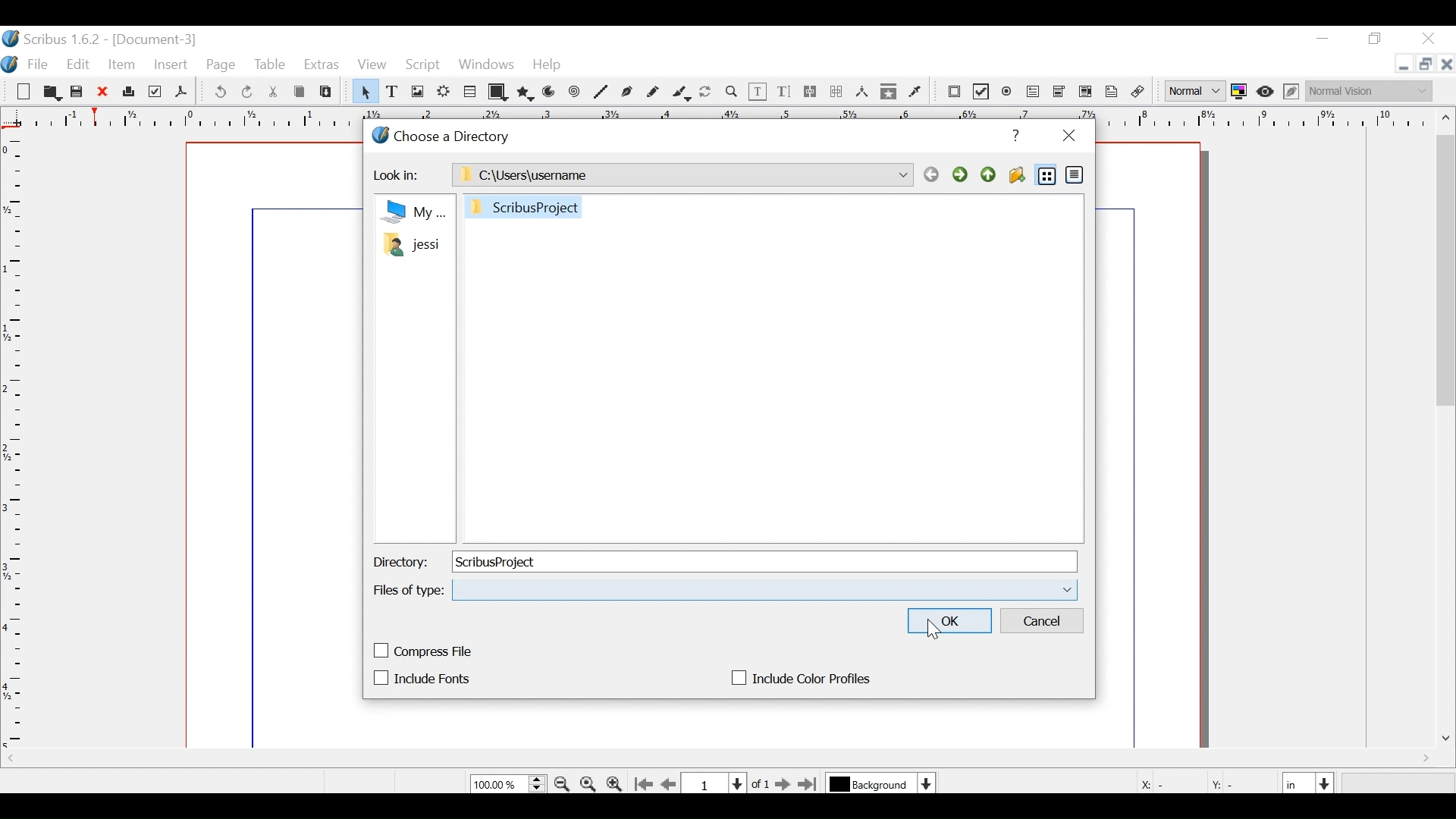  What do you see at coordinates (410, 590) in the screenshot?
I see `Files of type` at bounding box center [410, 590].